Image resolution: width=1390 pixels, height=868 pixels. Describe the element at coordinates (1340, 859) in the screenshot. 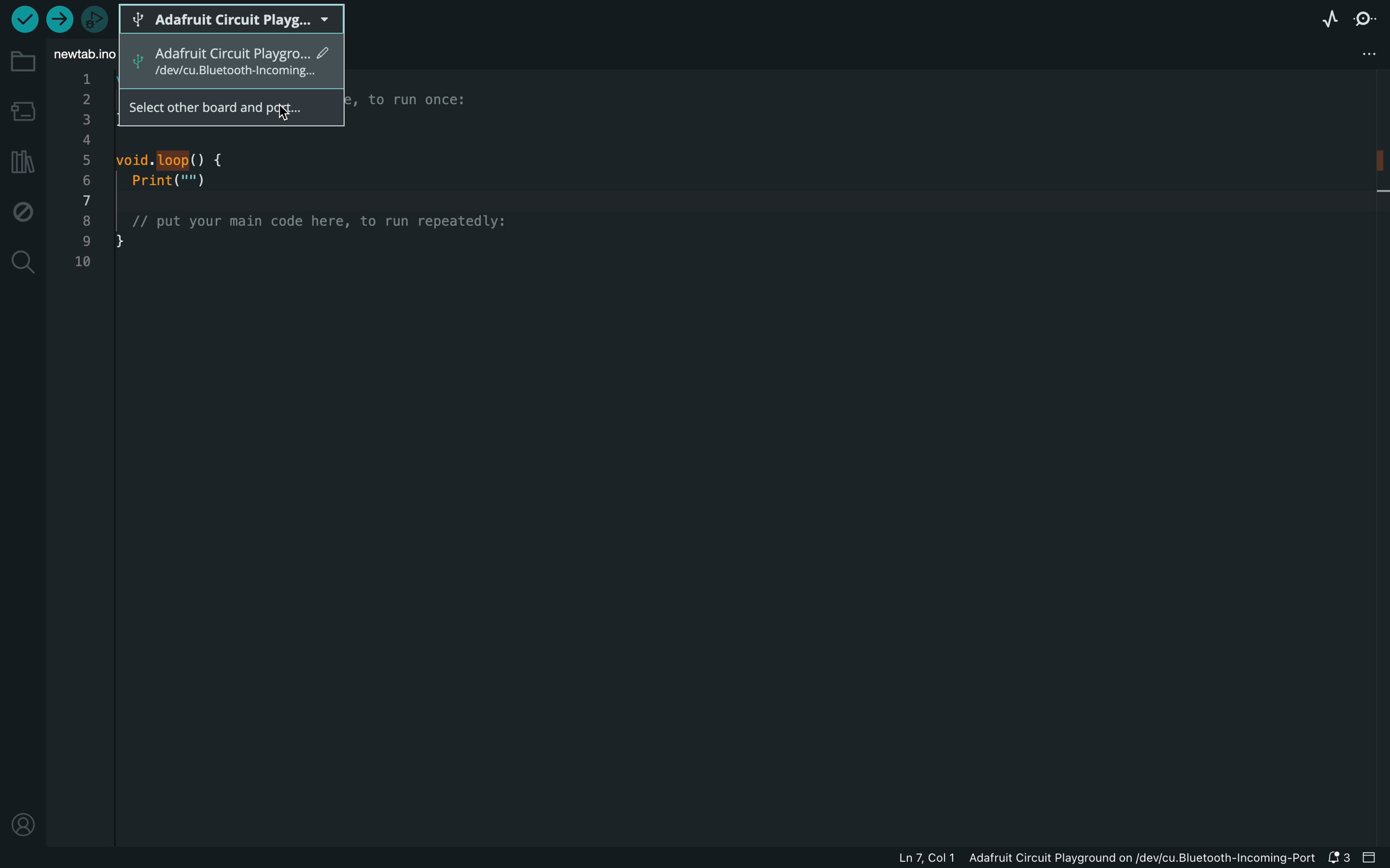

I see `notification` at that location.